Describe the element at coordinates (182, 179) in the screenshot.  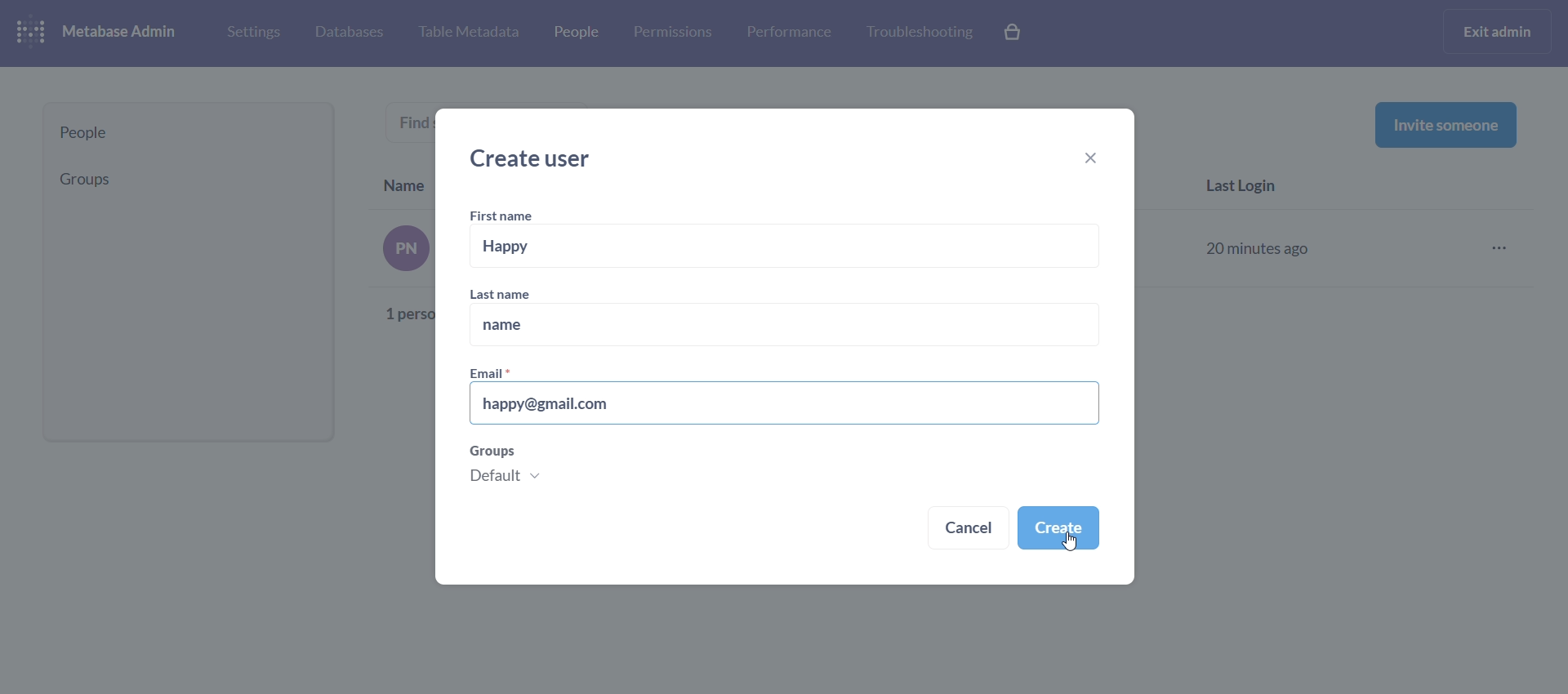
I see `groups` at that location.